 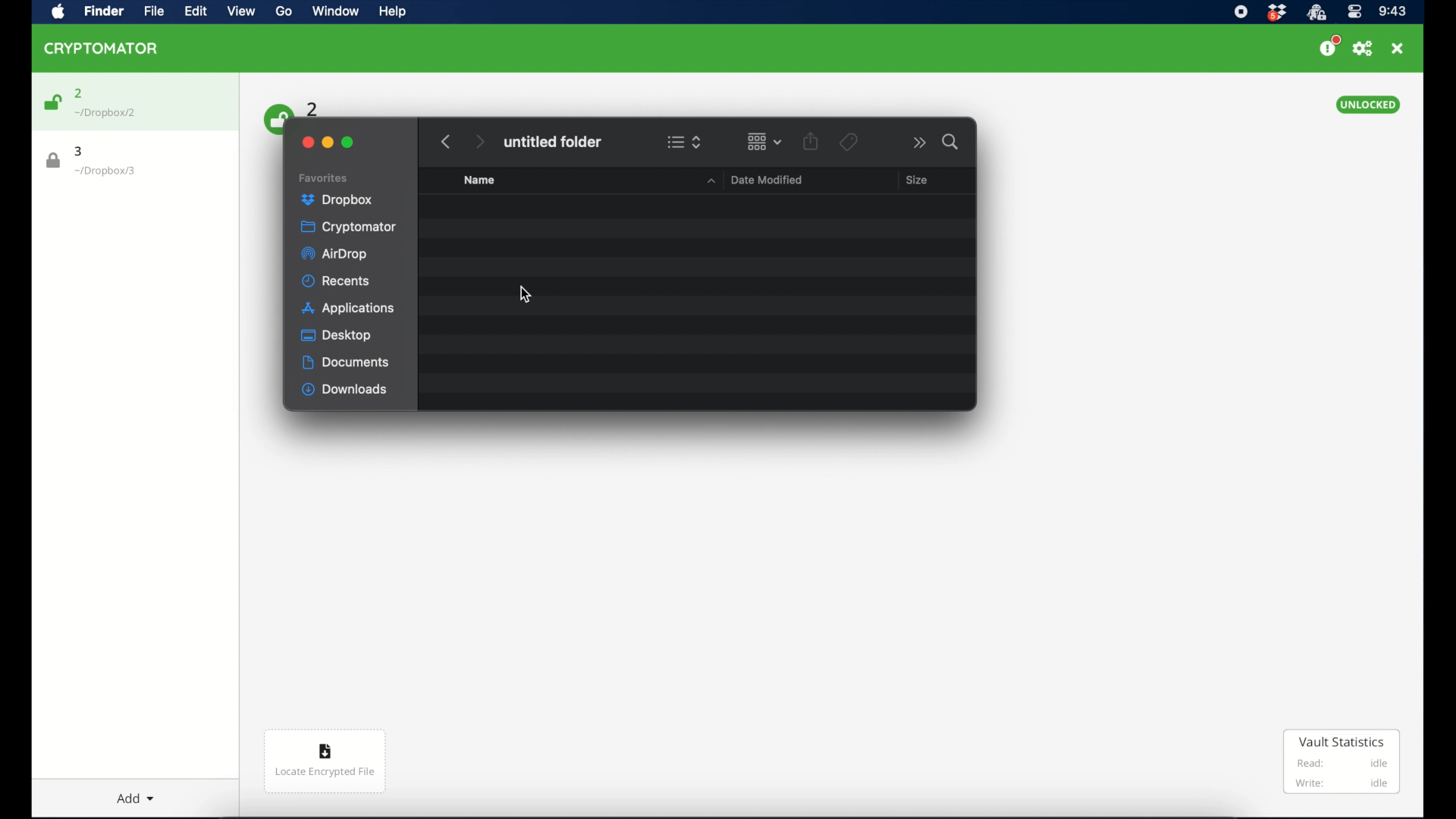 What do you see at coordinates (150, 11) in the screenshot?
I see `file` at bounding box center [150, 11].